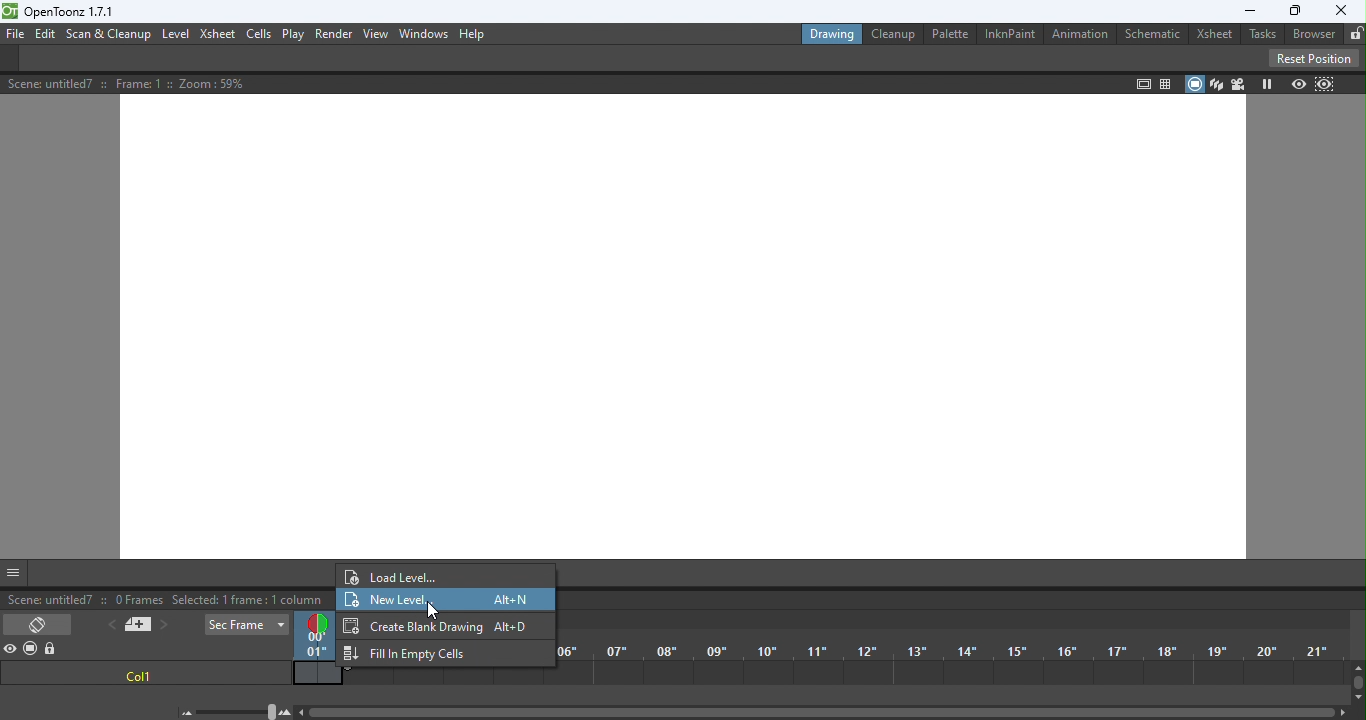 The height and width of the screenshot is (720, 1366). Describe the element at coordinates (164, 627) in the screenshot. I see `Next memo` at that location.